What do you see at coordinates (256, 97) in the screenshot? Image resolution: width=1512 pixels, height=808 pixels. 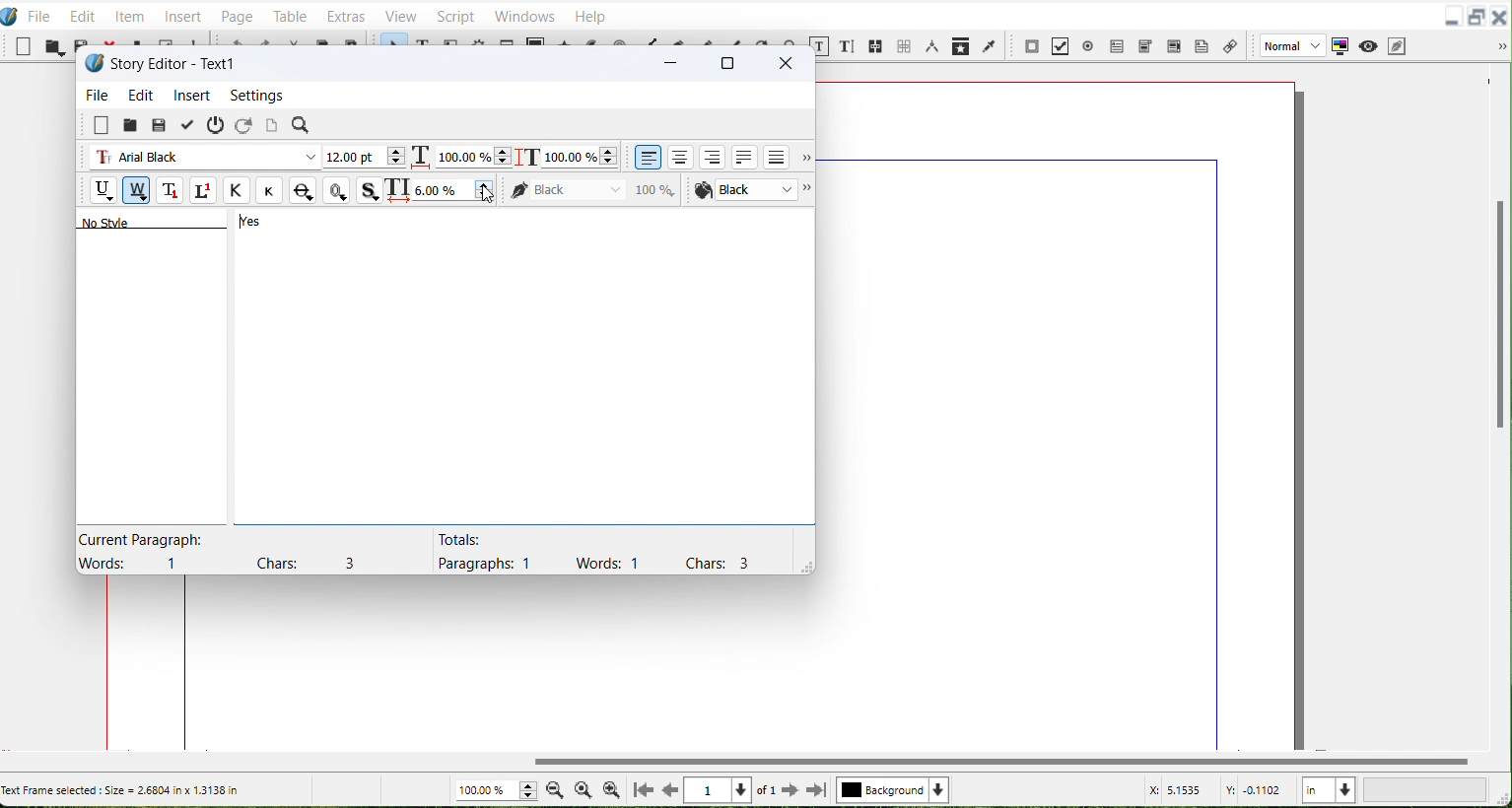 I see `Settings` at bounding box center [256, 97].